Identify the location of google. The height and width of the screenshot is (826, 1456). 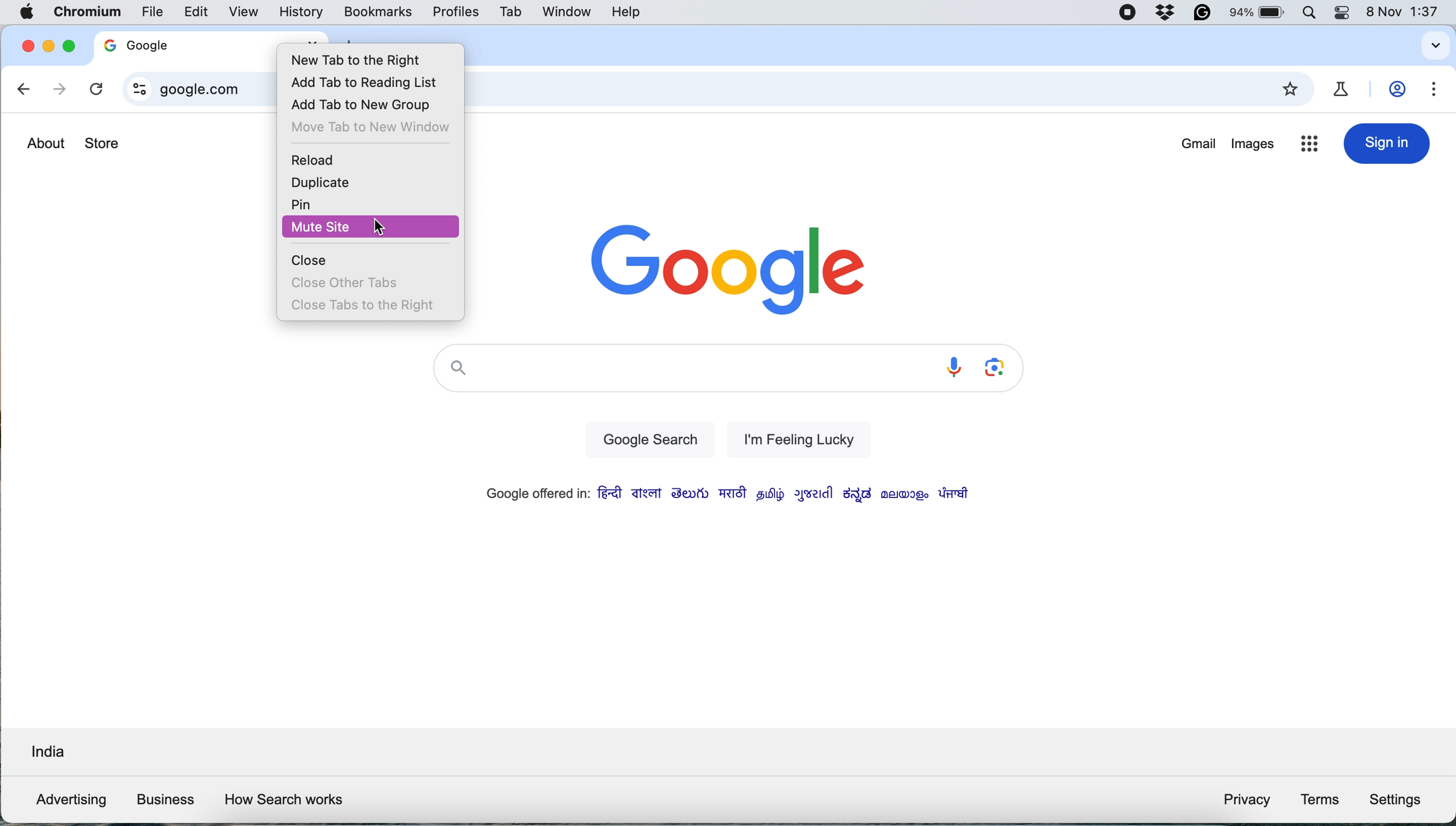
(729, 266).